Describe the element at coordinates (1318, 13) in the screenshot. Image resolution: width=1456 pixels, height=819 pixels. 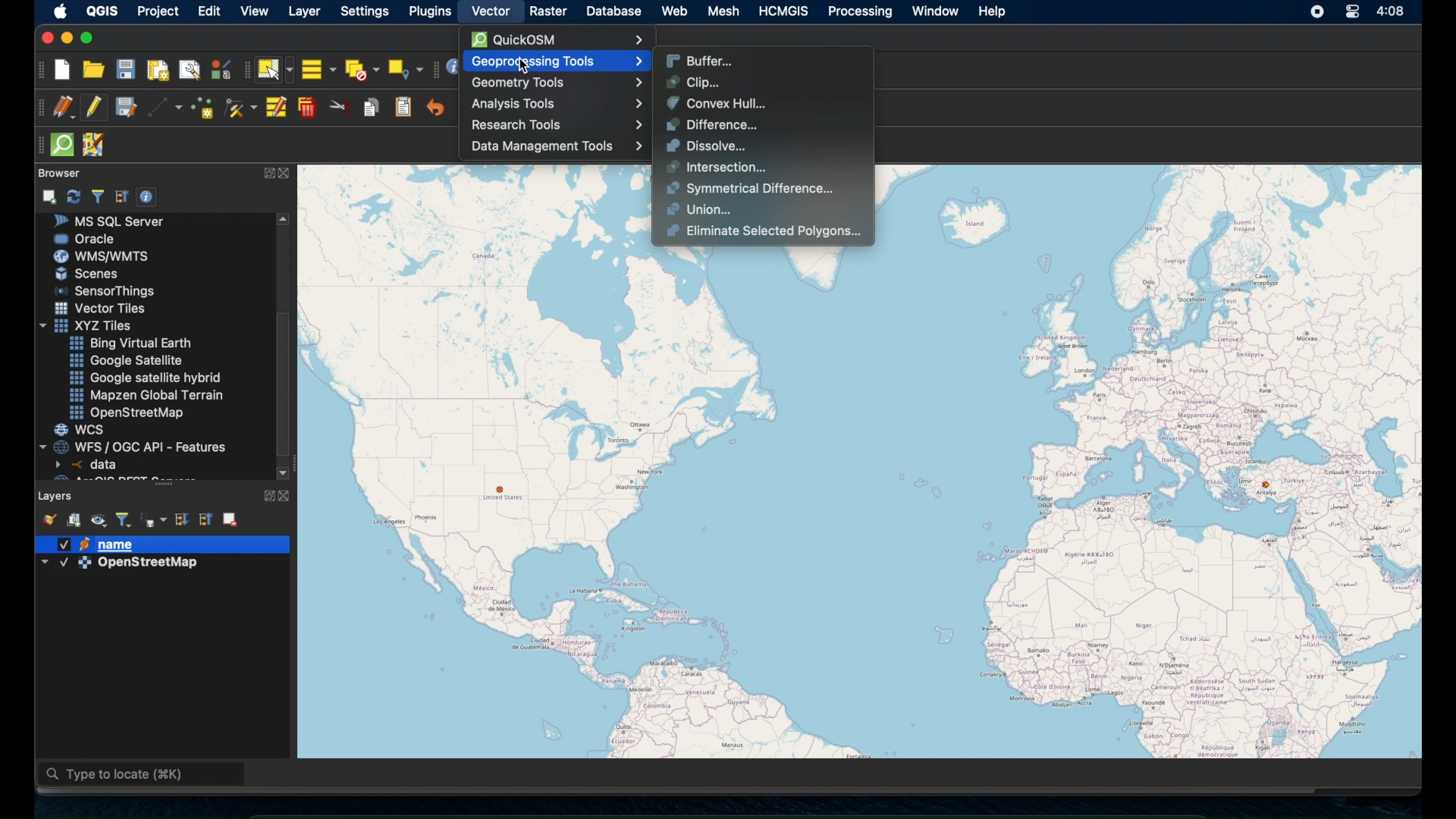
I see `screen recorder icon` at that location.